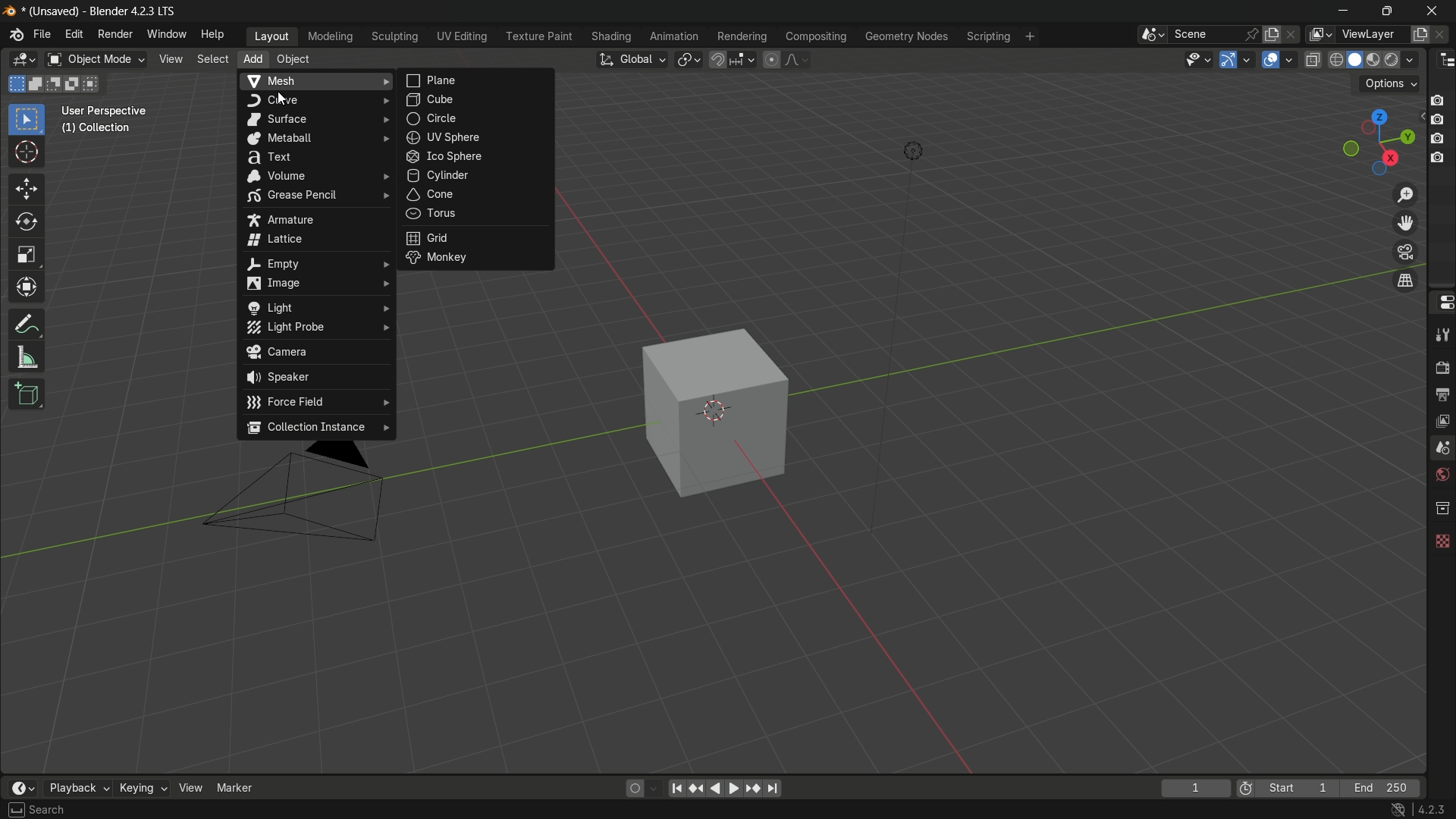 The height and width of the screenshot is (819, 1456). I want to click on rotate, so click(26, 223).